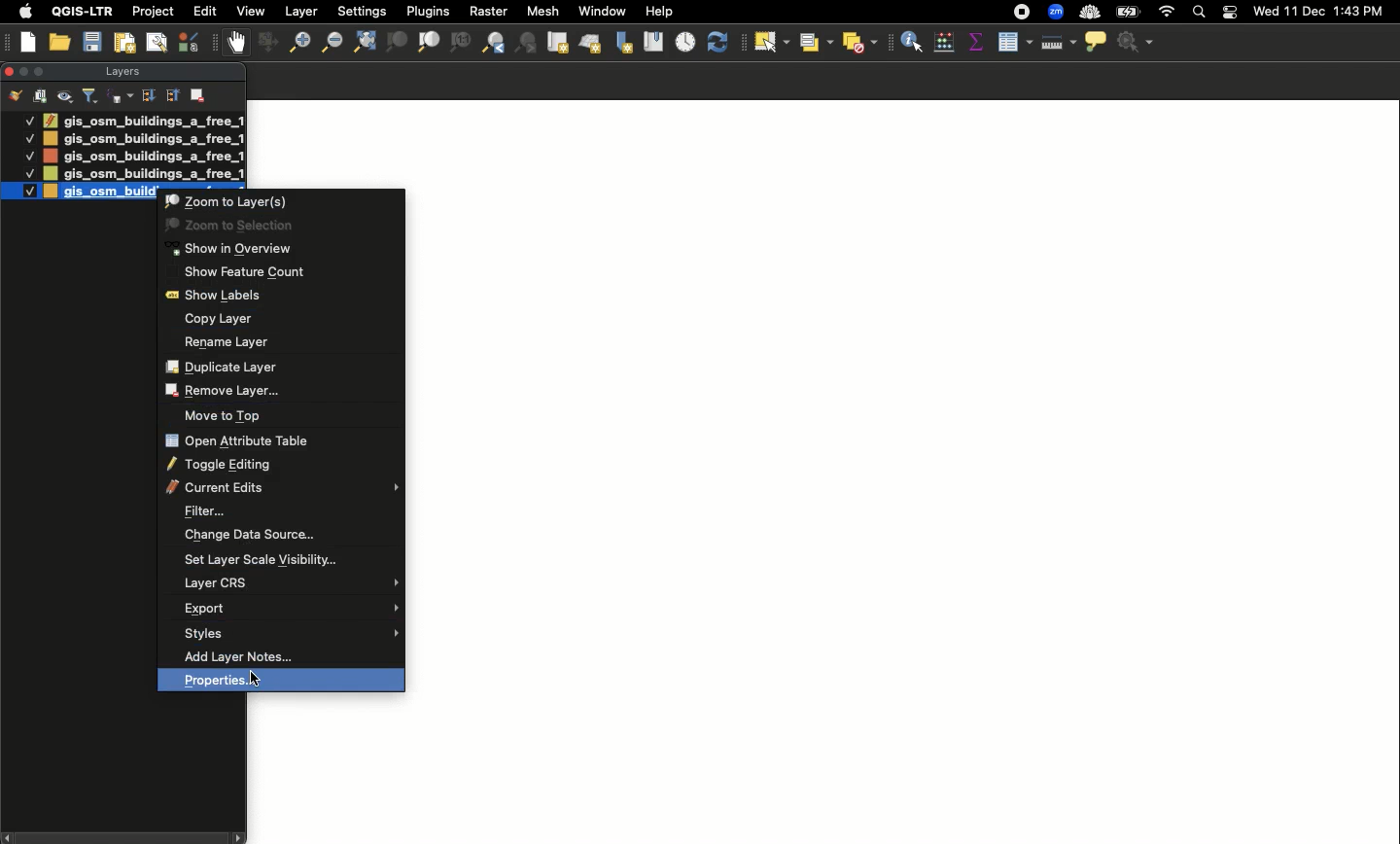  I want to click on Save, so click(92, 43).